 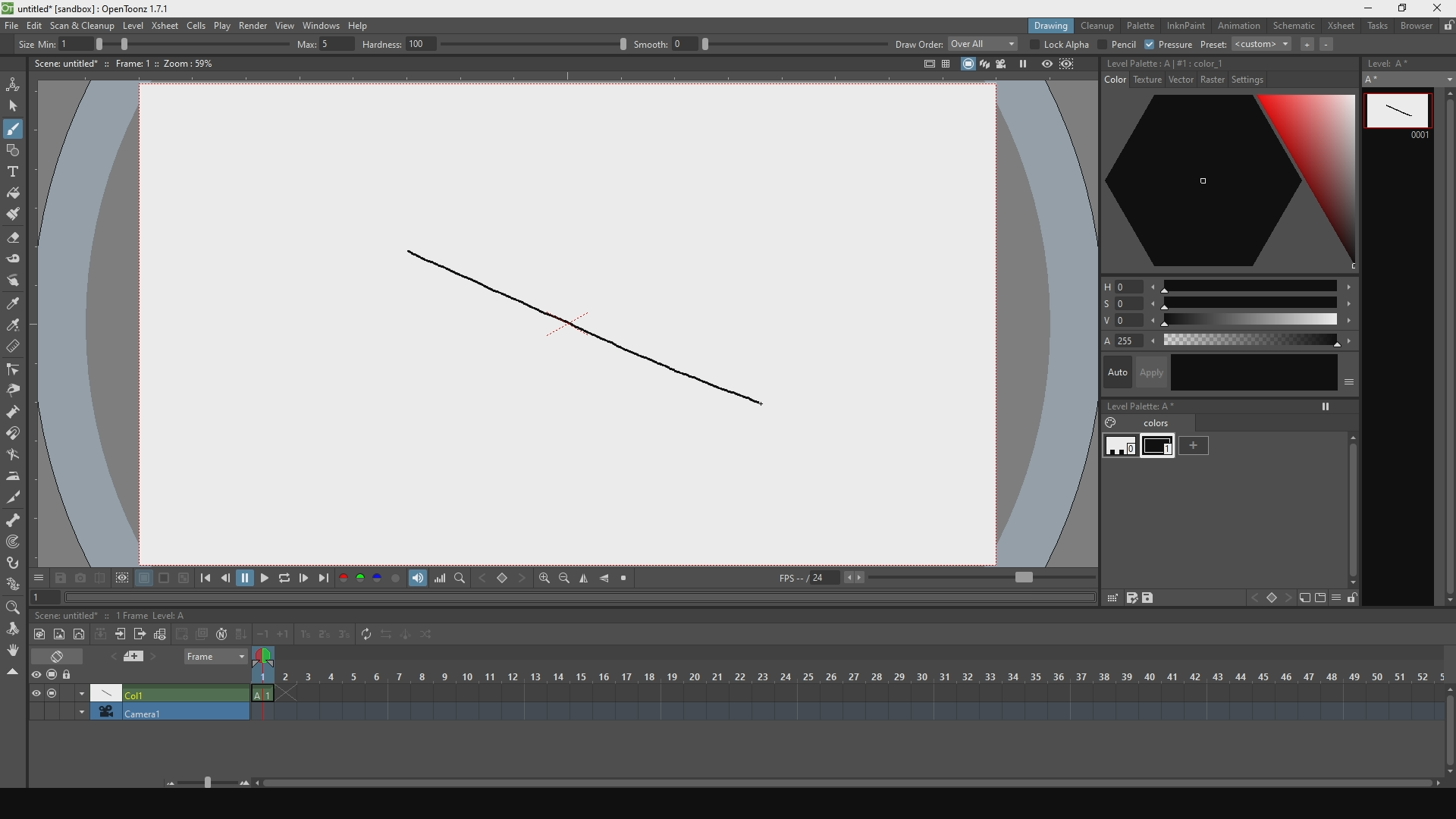 What do you see at coordinates (245, 579) in the screenshot?
I see `pause` at bounding box center [245, 579].